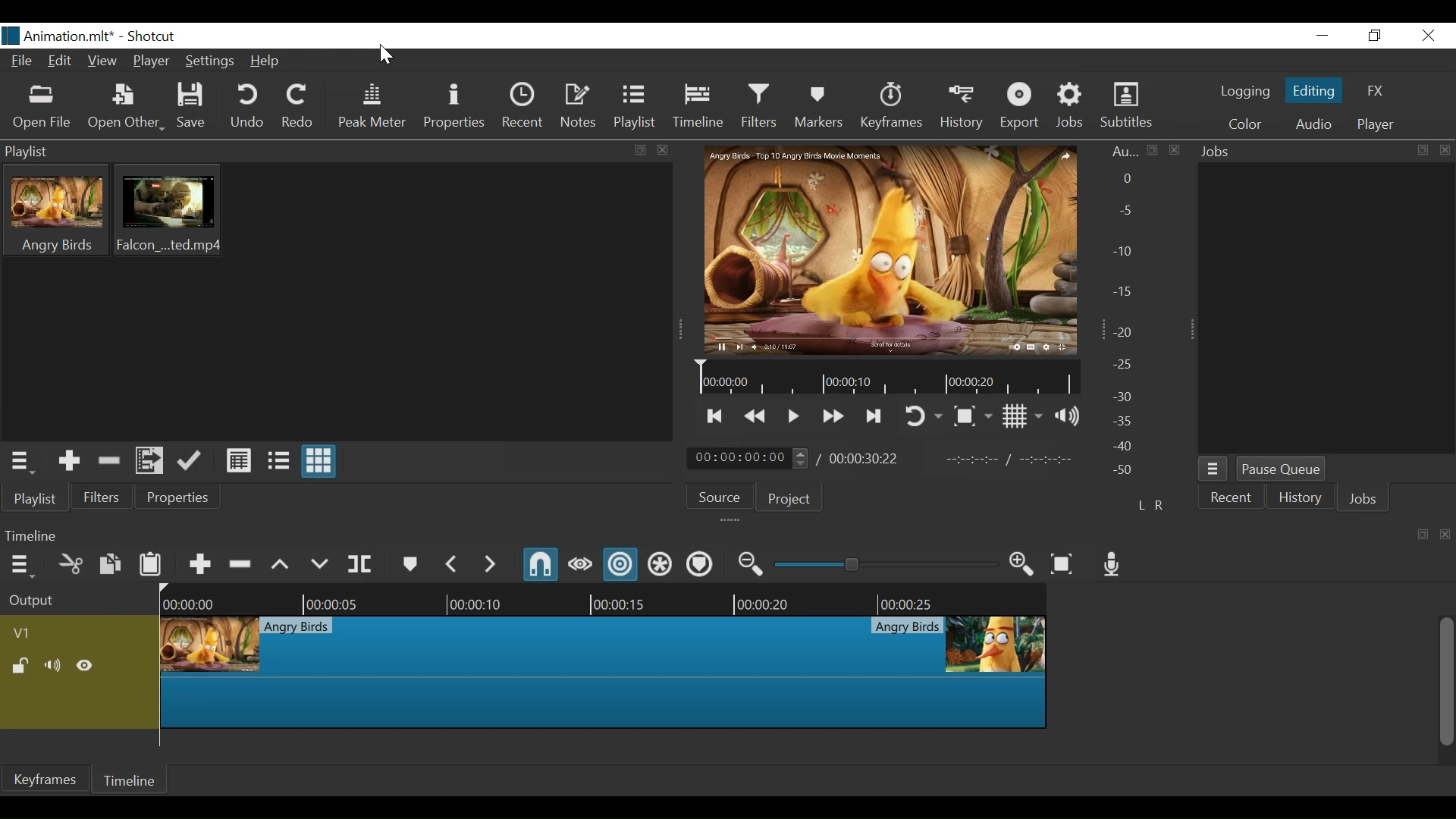 The width and height of the screenshot is (1456, 819). Describe the element at coordinates (372, 108) in the screenshot. I see `Peak Meter` at that location.